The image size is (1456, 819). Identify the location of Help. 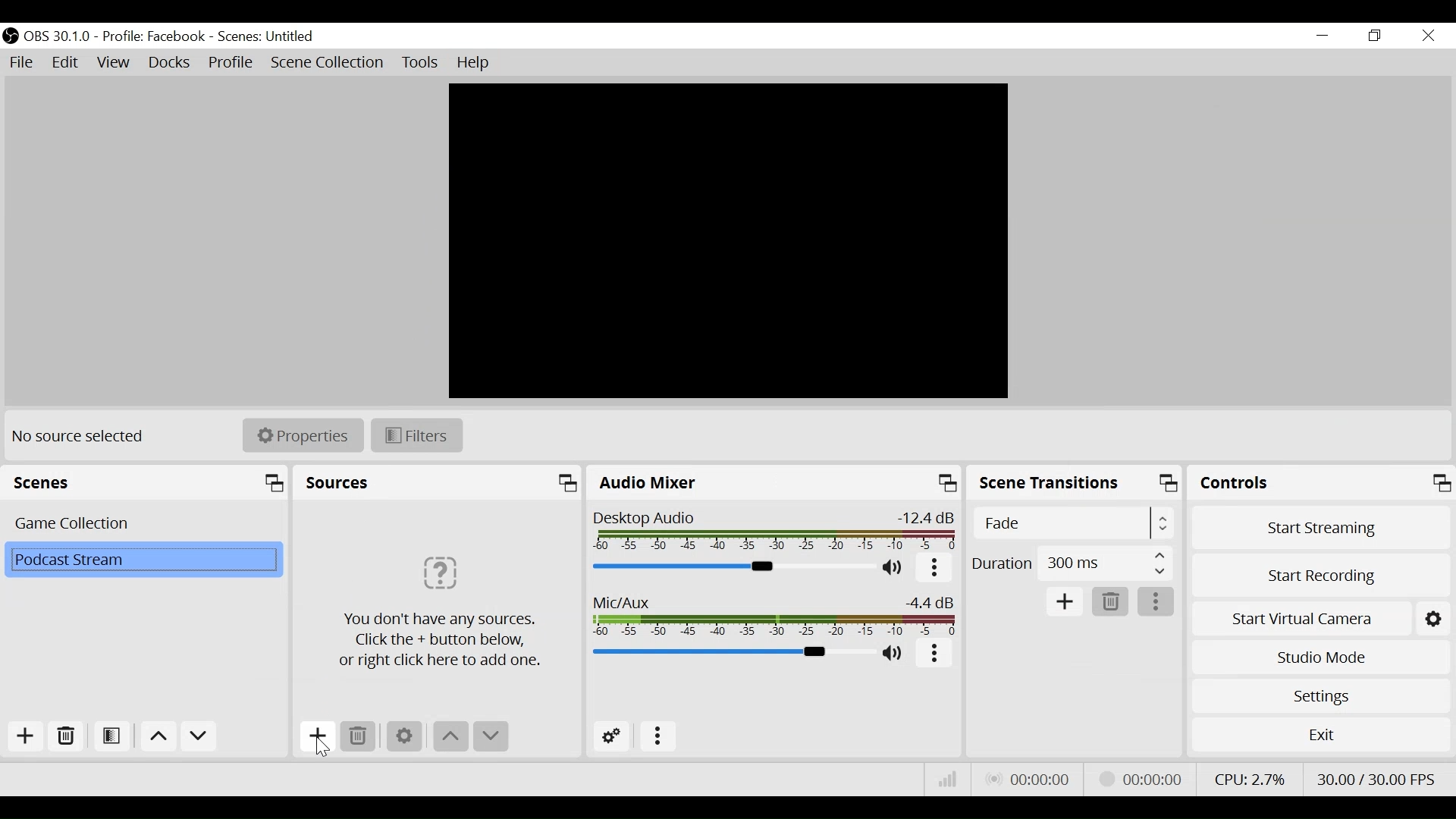
(476, 64).